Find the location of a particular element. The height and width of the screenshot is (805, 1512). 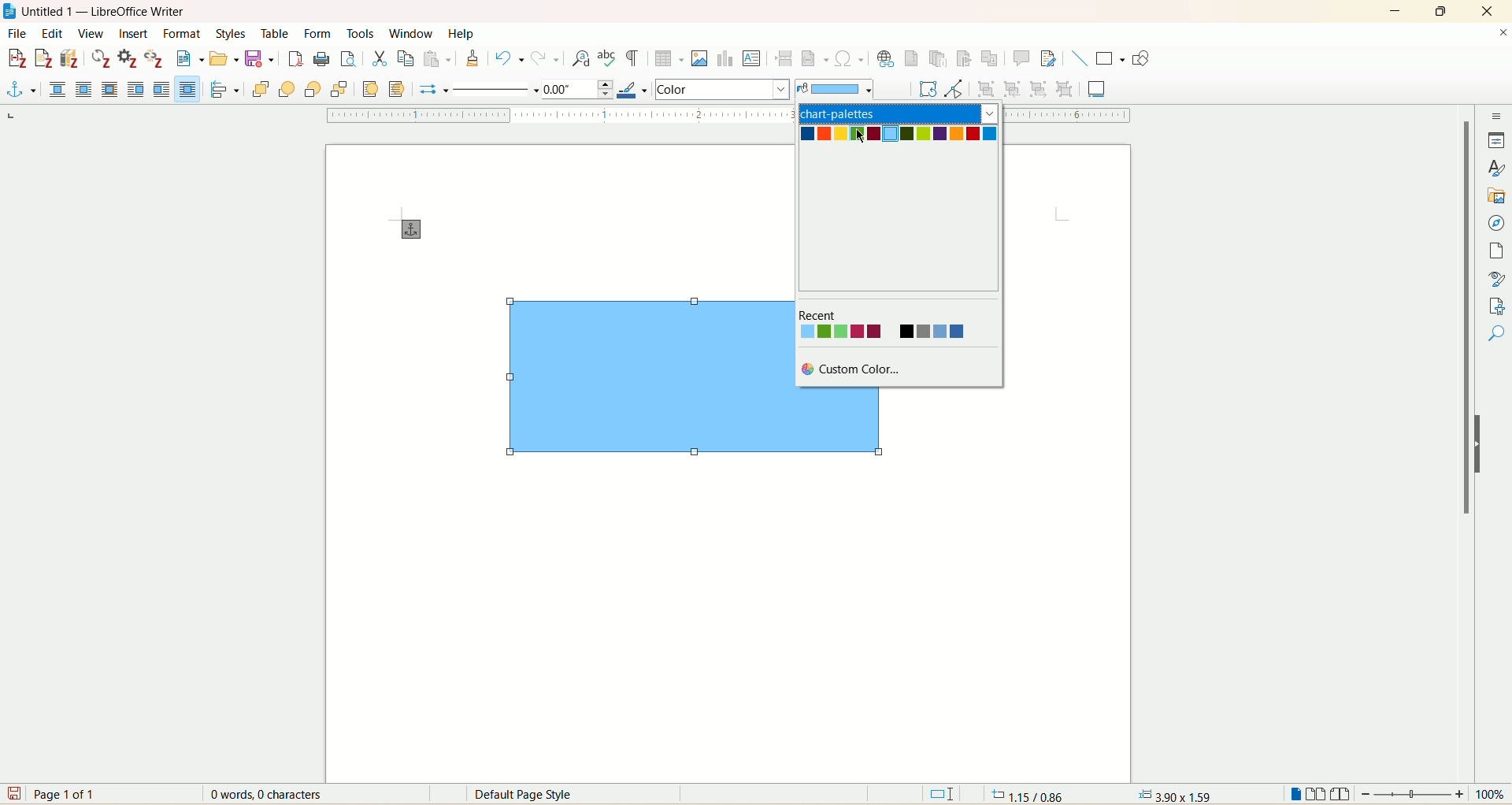

start and end arrowheads is located at coordinates (428, 91).